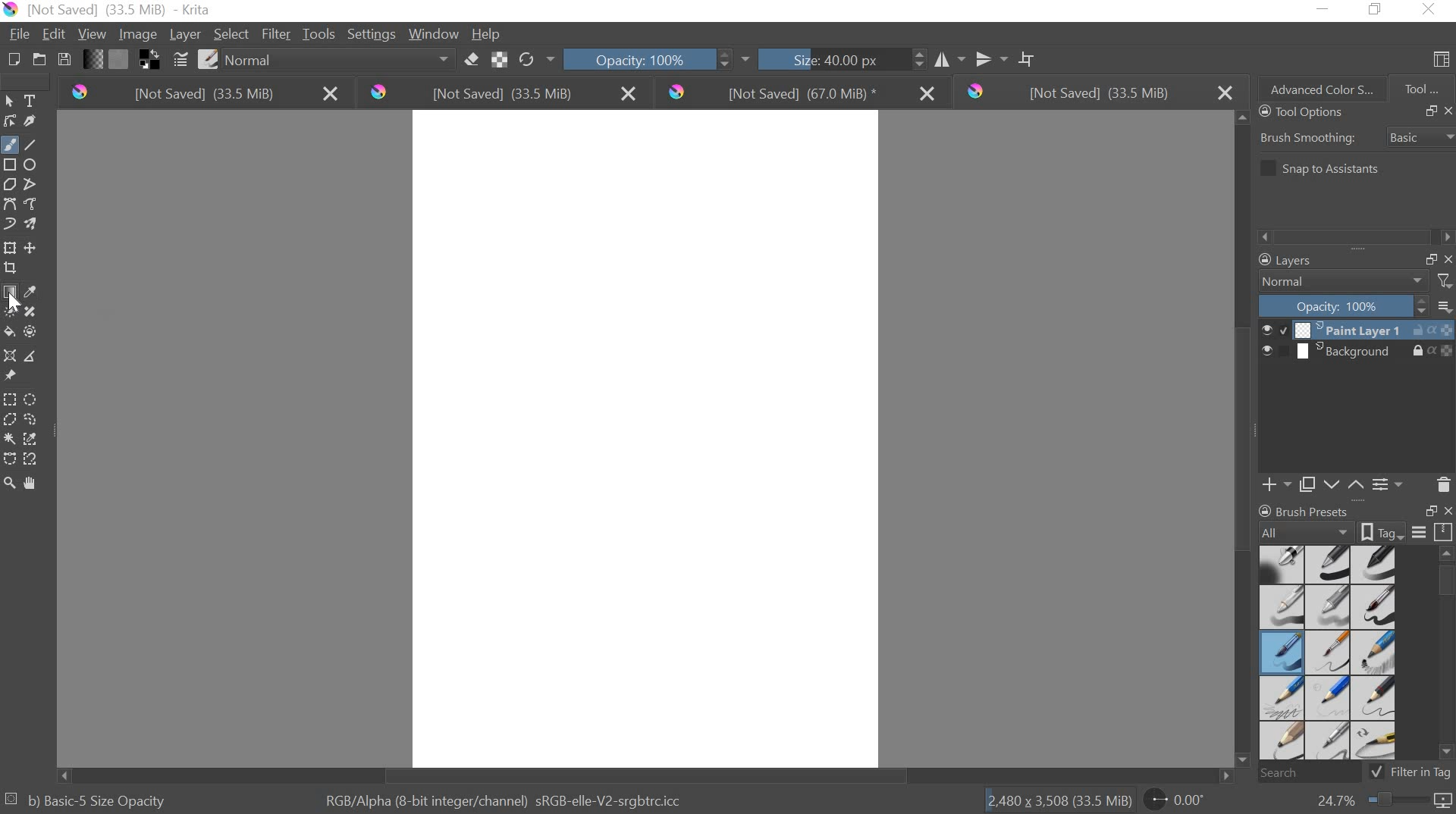 This screenshot has height=814, width=1456. I want to click on FILL PATTERNS, so click(122, 58).